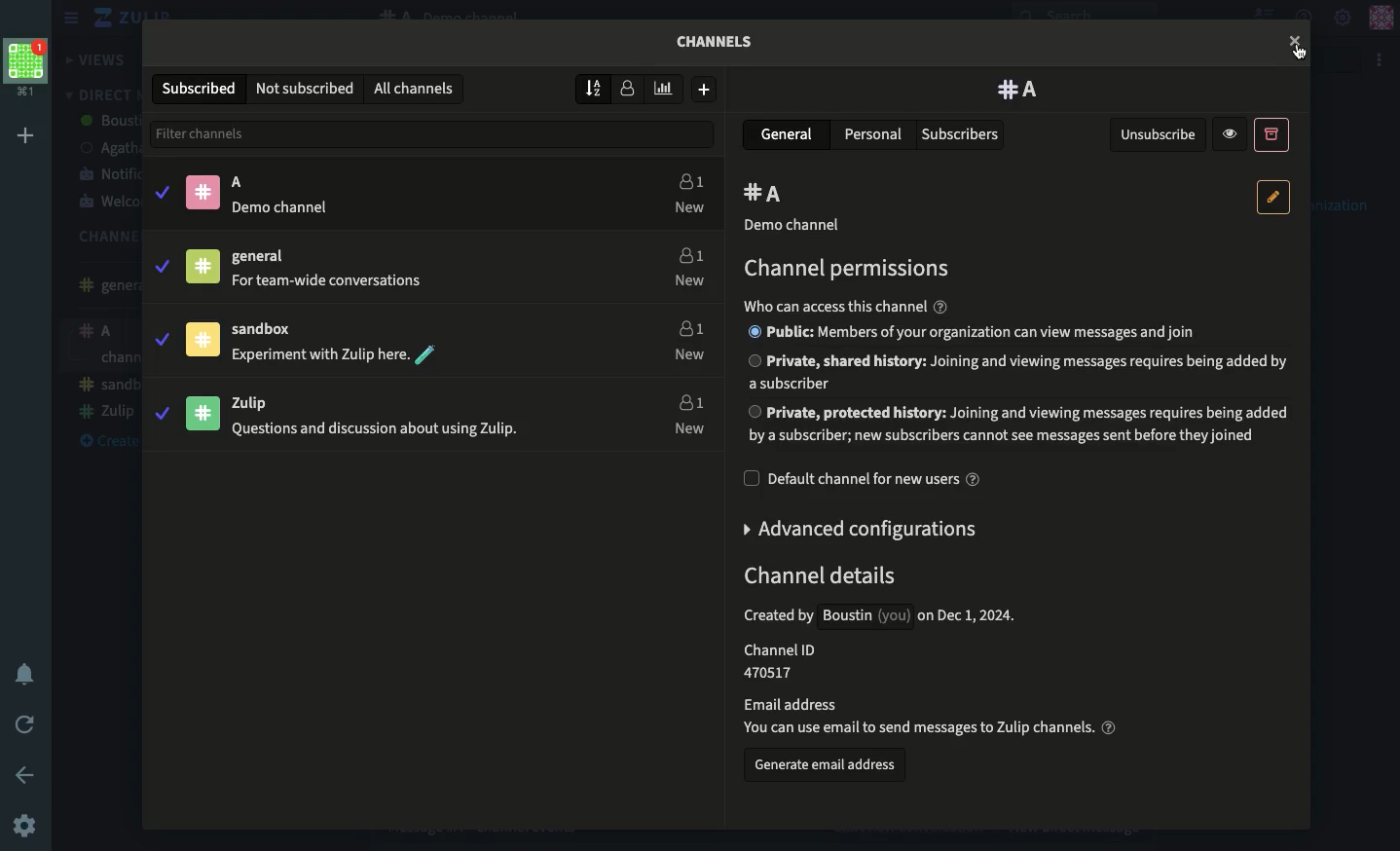  What do you see at coordinates (109, 122) in the screenshot?
I see `boustin` at bounding box center [109, 122].